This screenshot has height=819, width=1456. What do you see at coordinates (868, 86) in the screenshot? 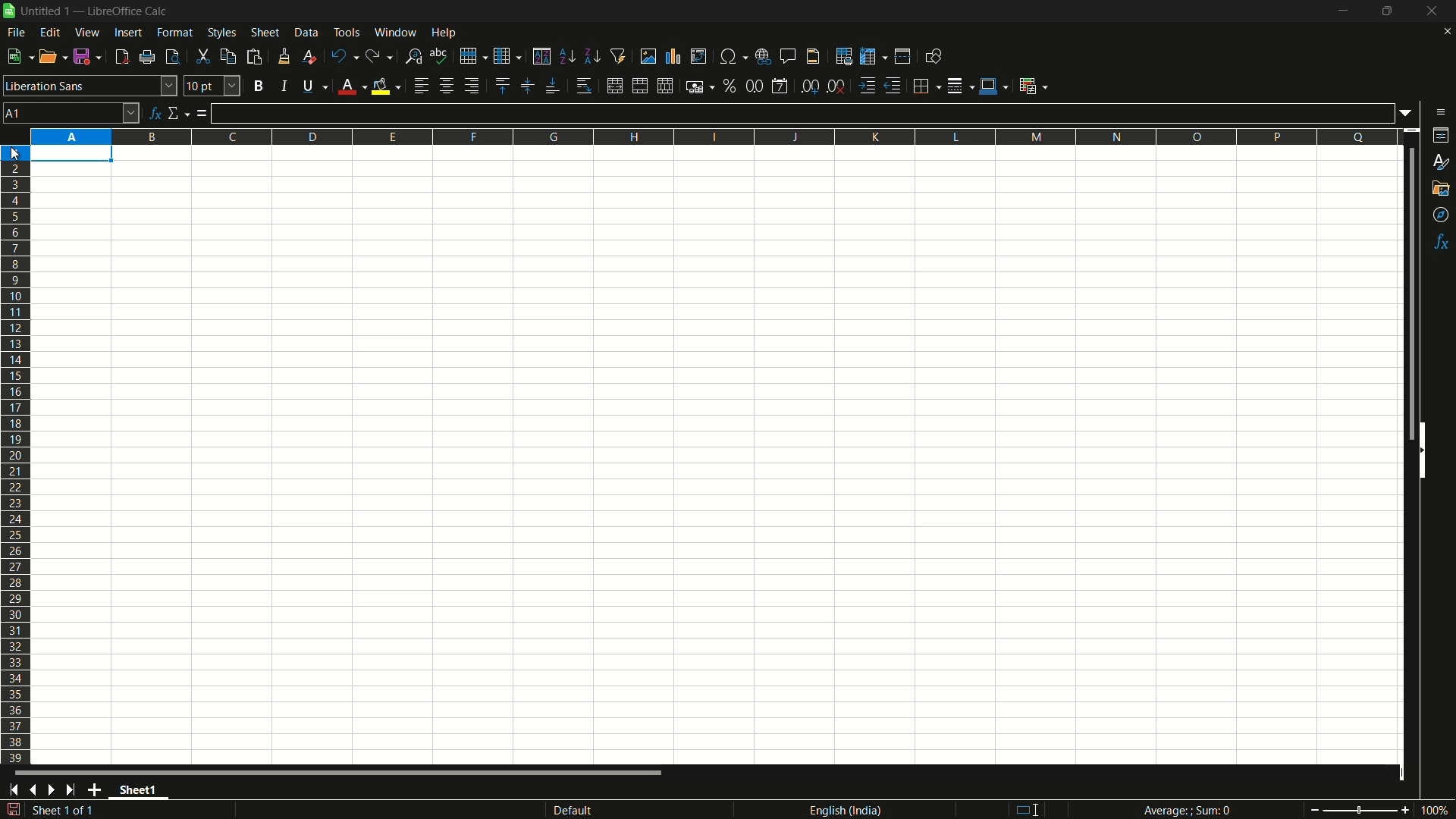
I see `increase indentation` at bounding box center [868, 86].